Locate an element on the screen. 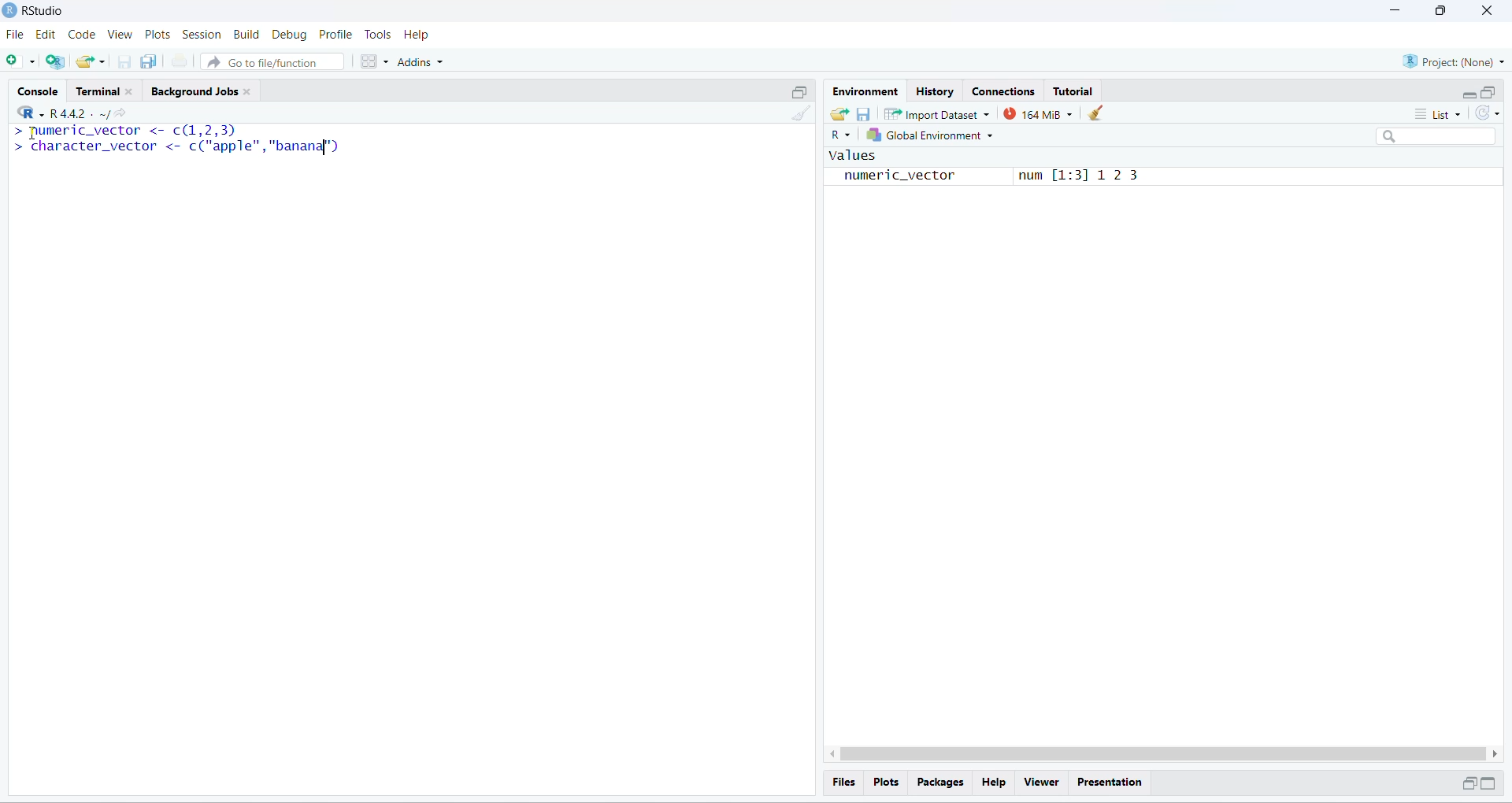 The image size is (1512, 803). File is located at coordinates (16, 35).